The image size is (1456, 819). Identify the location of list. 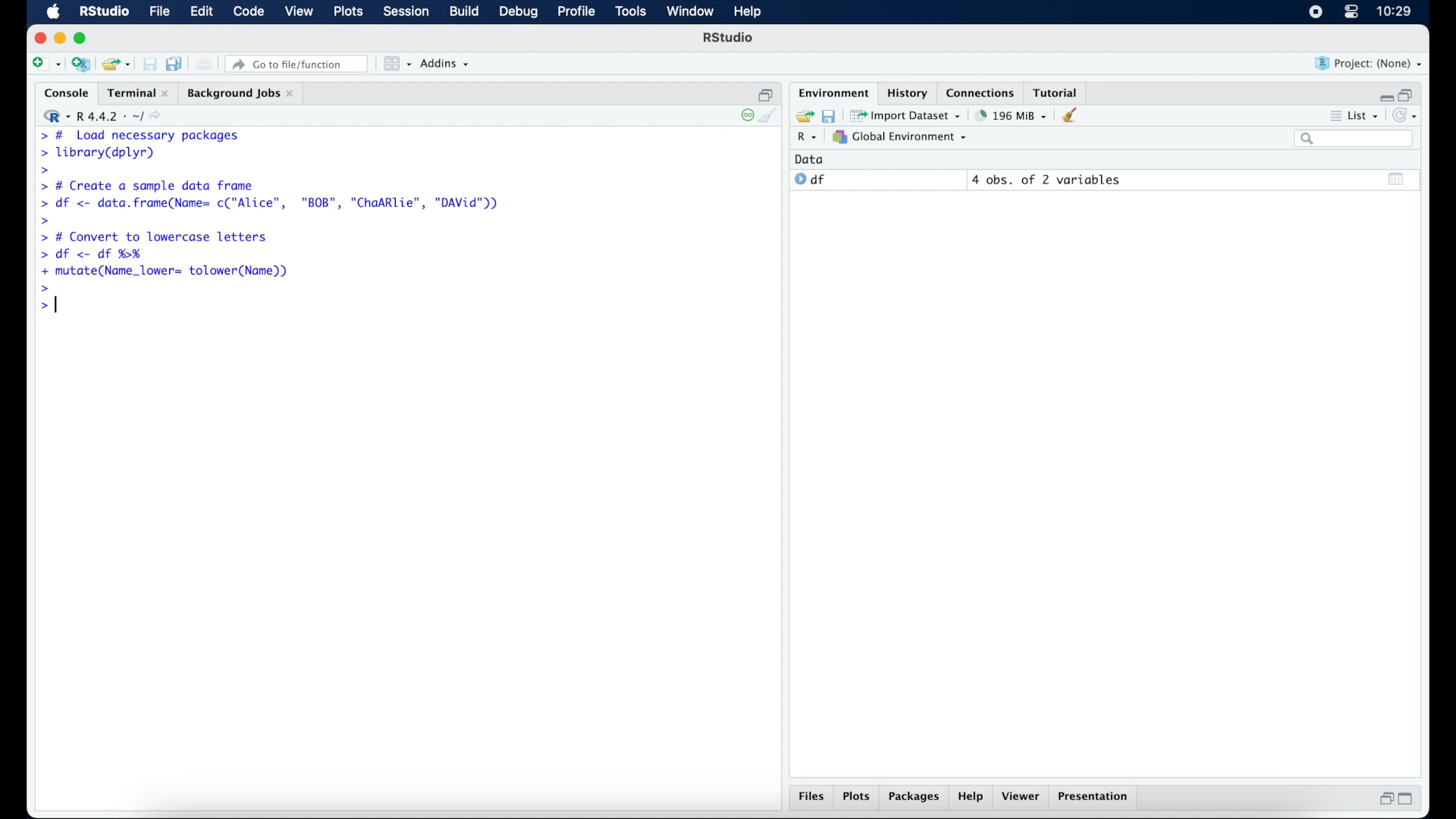
(1353, 118).